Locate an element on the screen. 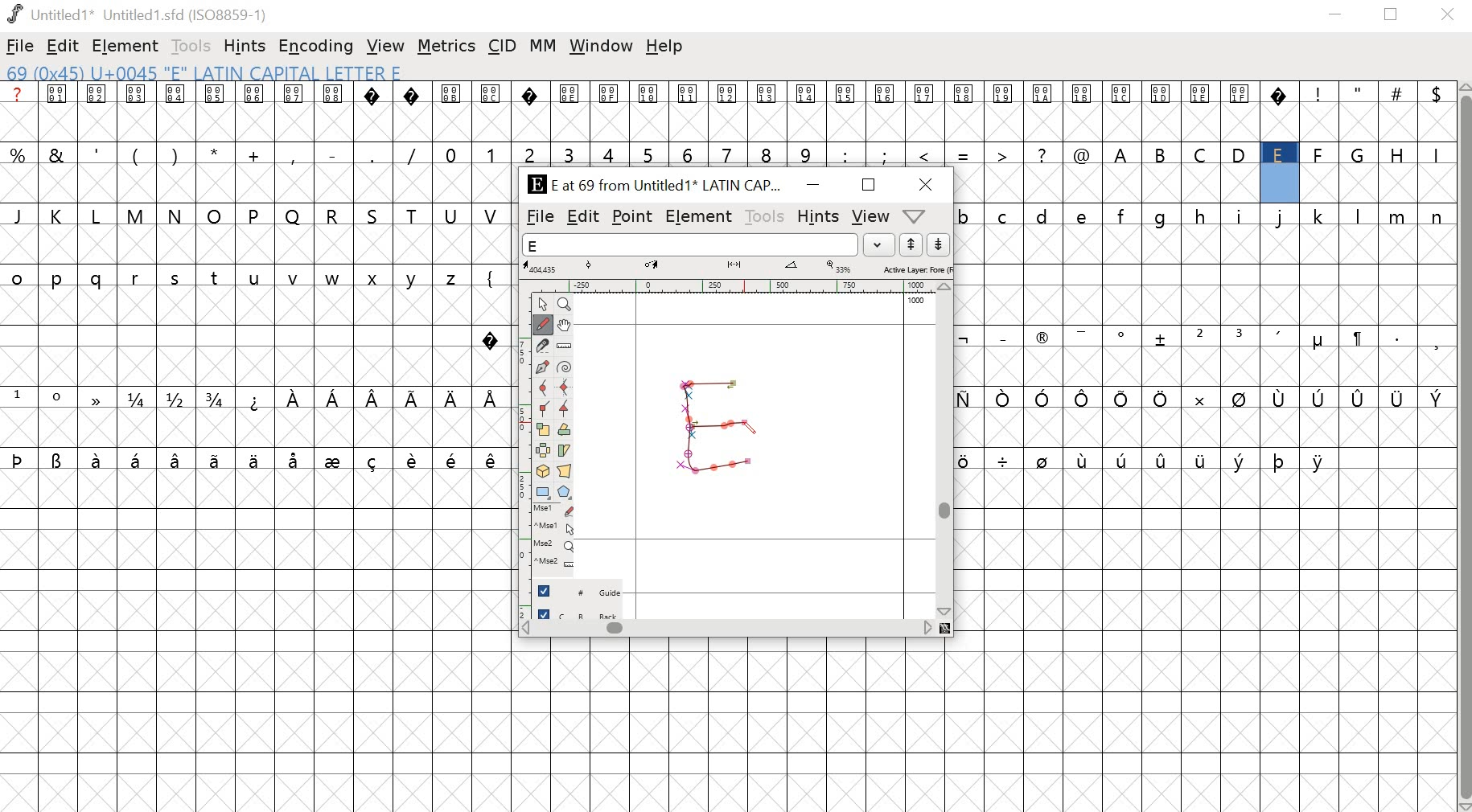 The width and height of the screenshot is (1472, 812). CID is located at coordinates (502, 47).